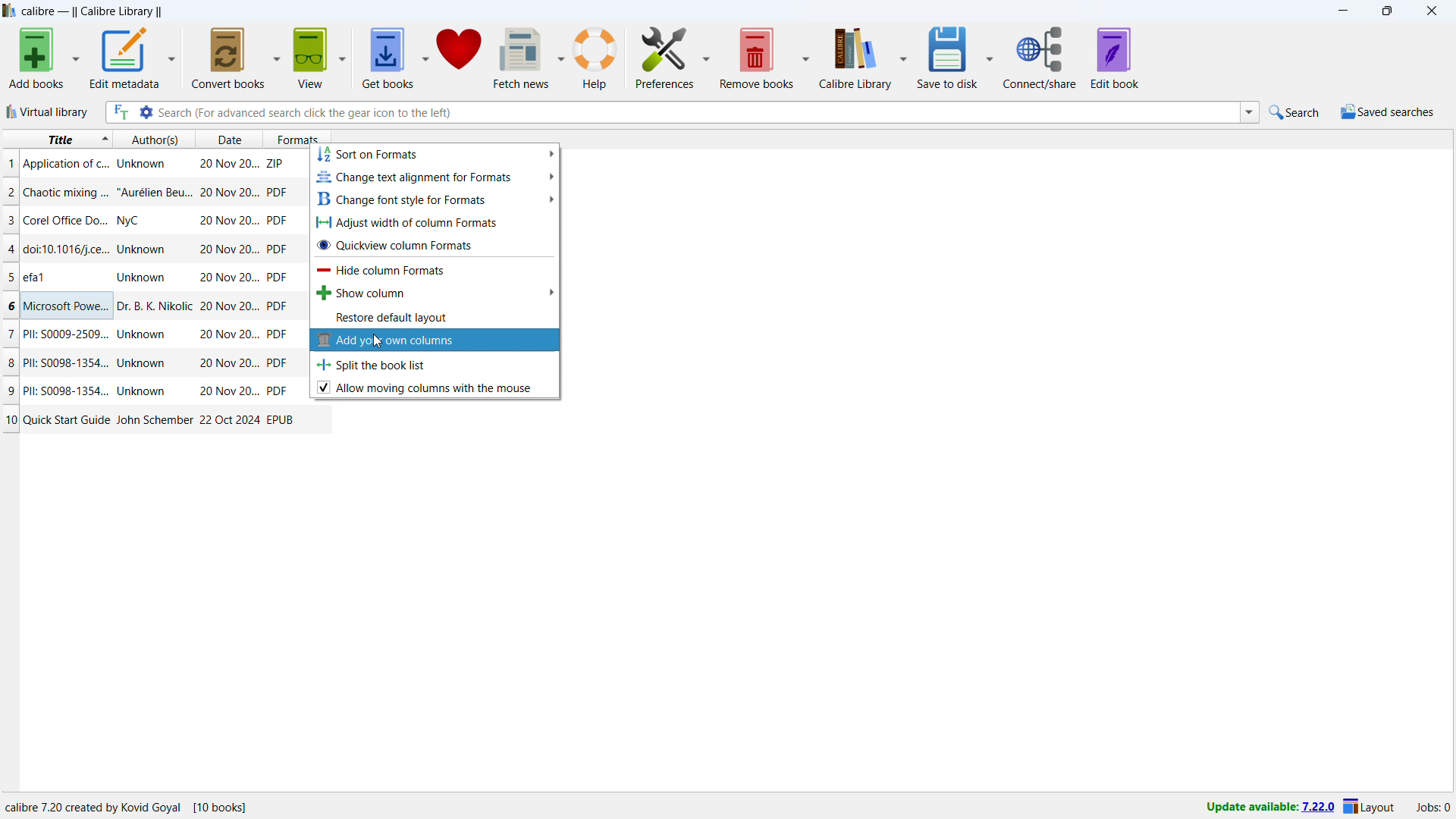 The image size is (1456, 819). I want to click on calibre library, so click(855, 58).